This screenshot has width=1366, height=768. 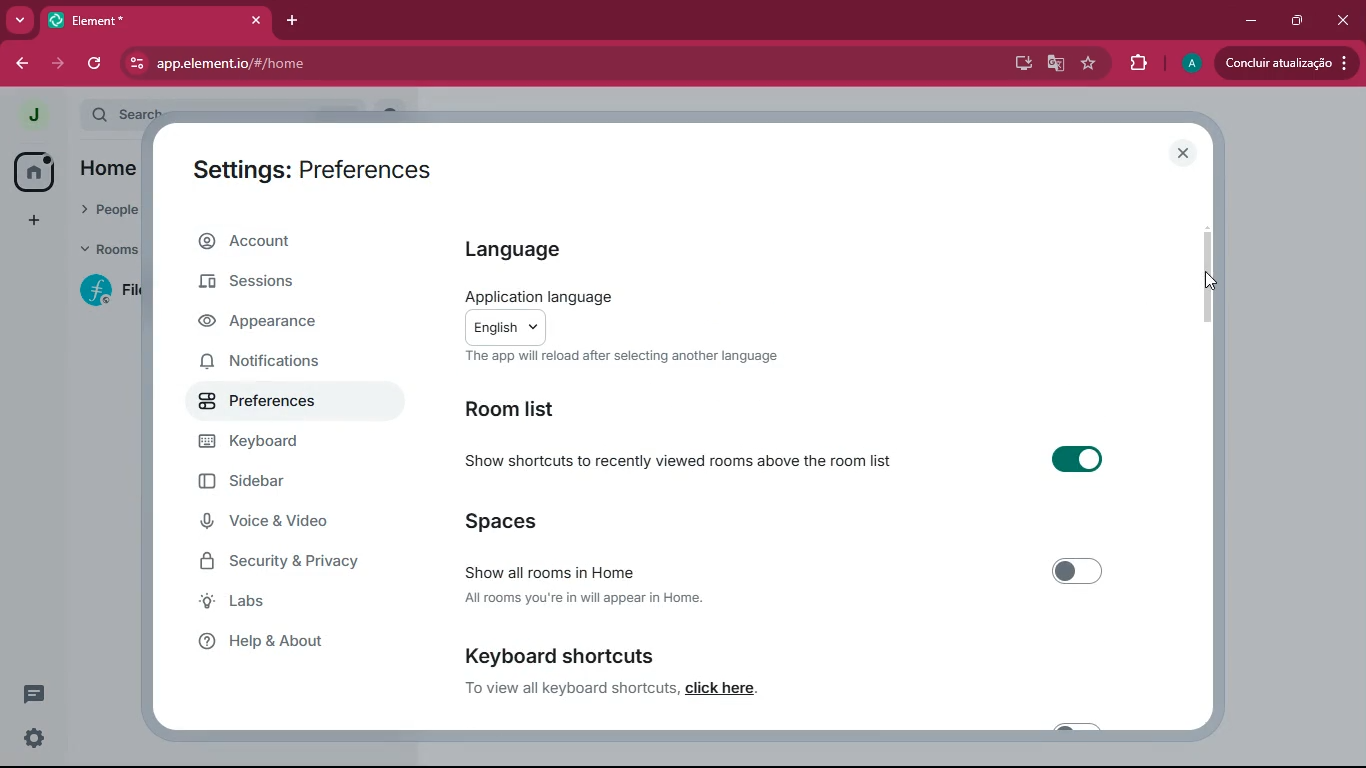 I want to click on profile, so click(x=1190, y=63).